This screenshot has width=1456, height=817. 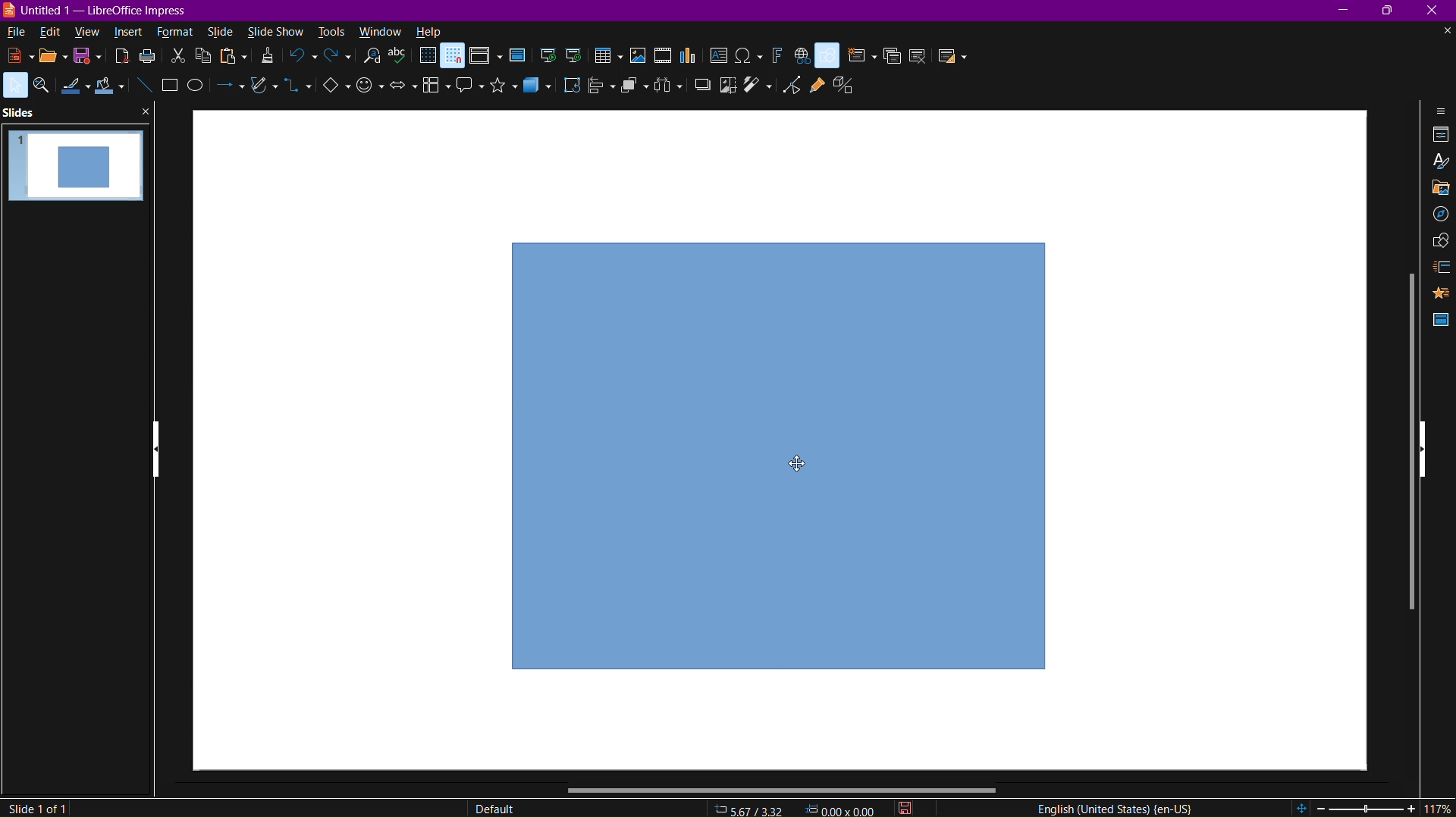 What do you see at coordinates (918, 55) in the screenshot?
I see `Delete Slide` at bounding box center [918, 55].